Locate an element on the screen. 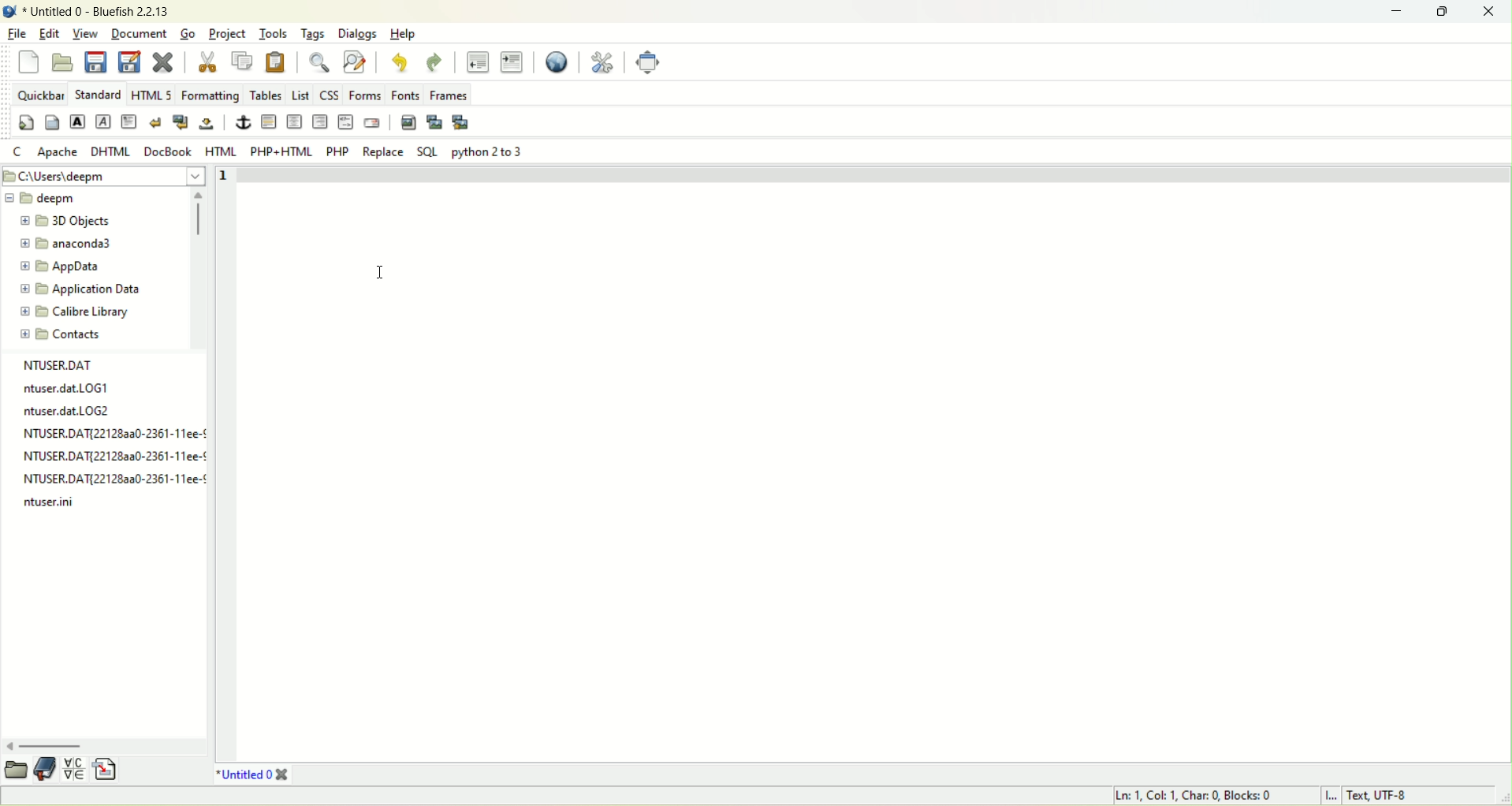 Image resolution: width=1512 pixels, height=806 pixels. snippets is located at coordinates (112, 771).